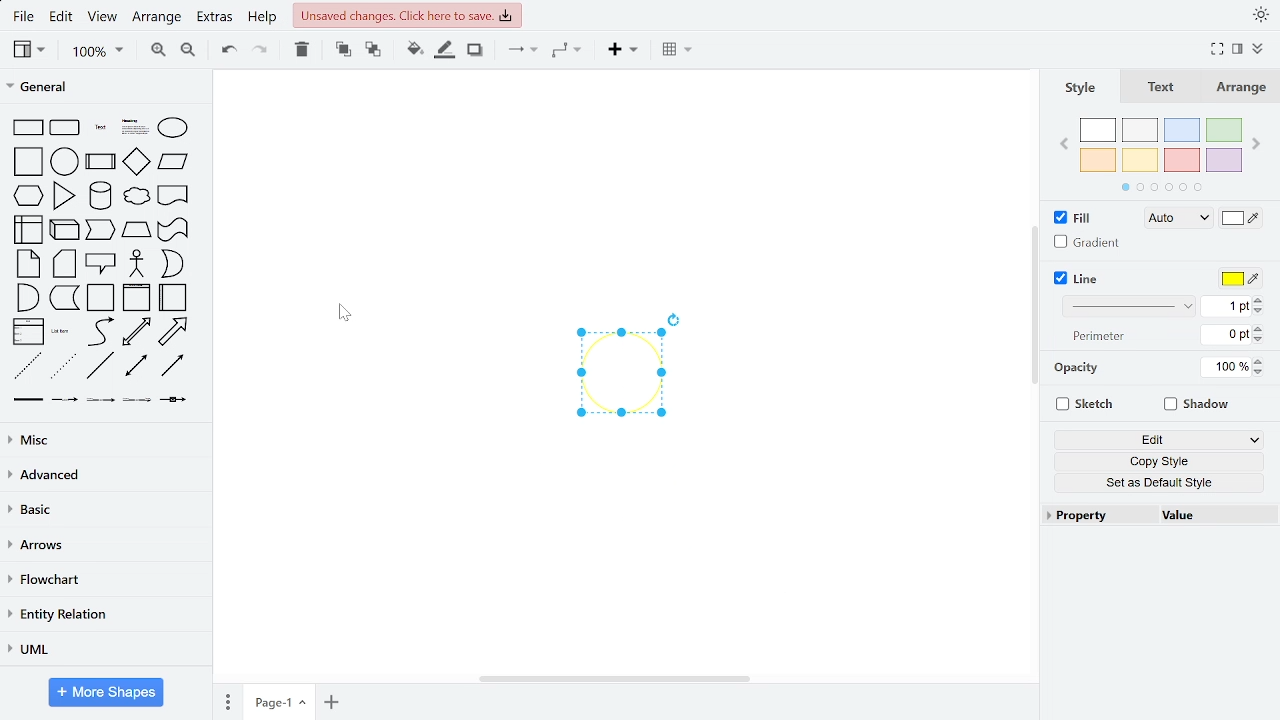 This screenshot has width=1280, height=720. Describe the element at coordinates (106, 651) in the screenshot. I see `UML` at that location.